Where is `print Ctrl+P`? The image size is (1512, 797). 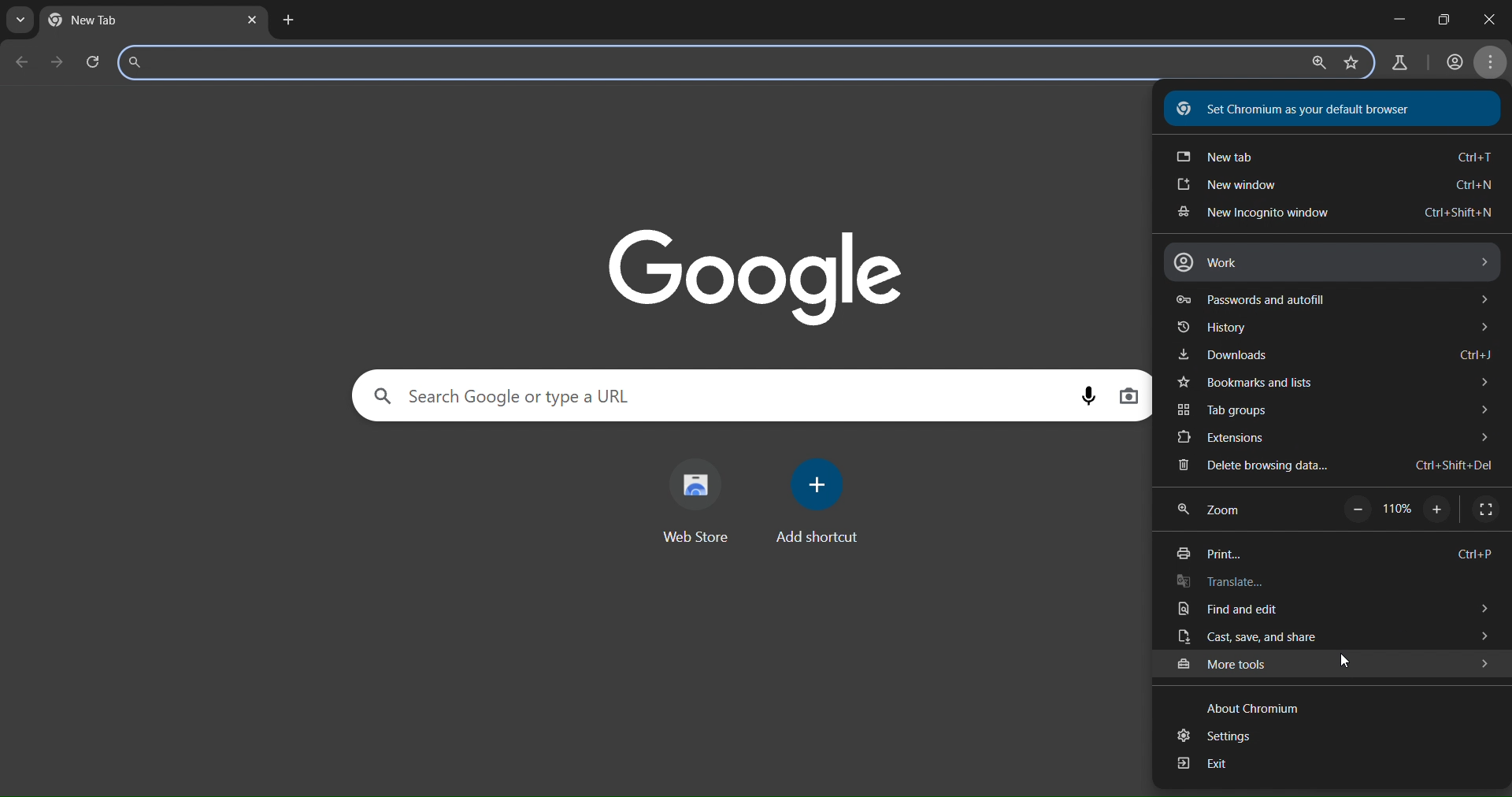
print Ctrl+P is located at coordinates (1329, 555).